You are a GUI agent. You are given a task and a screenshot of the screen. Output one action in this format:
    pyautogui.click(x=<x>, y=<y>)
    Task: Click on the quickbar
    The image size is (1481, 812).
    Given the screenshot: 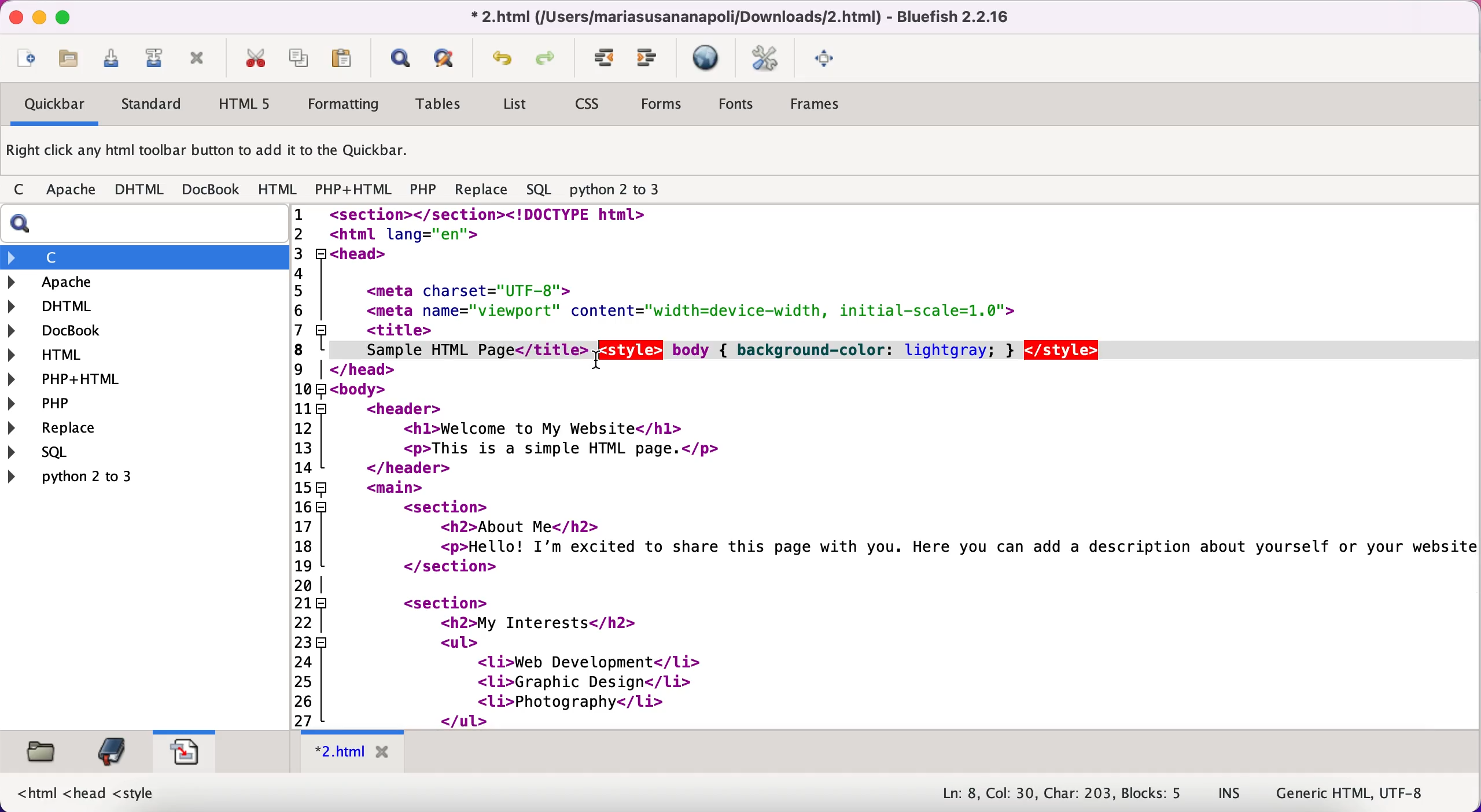 What is the action you would take?
    pyautogui.click(x=53, y=106)
    